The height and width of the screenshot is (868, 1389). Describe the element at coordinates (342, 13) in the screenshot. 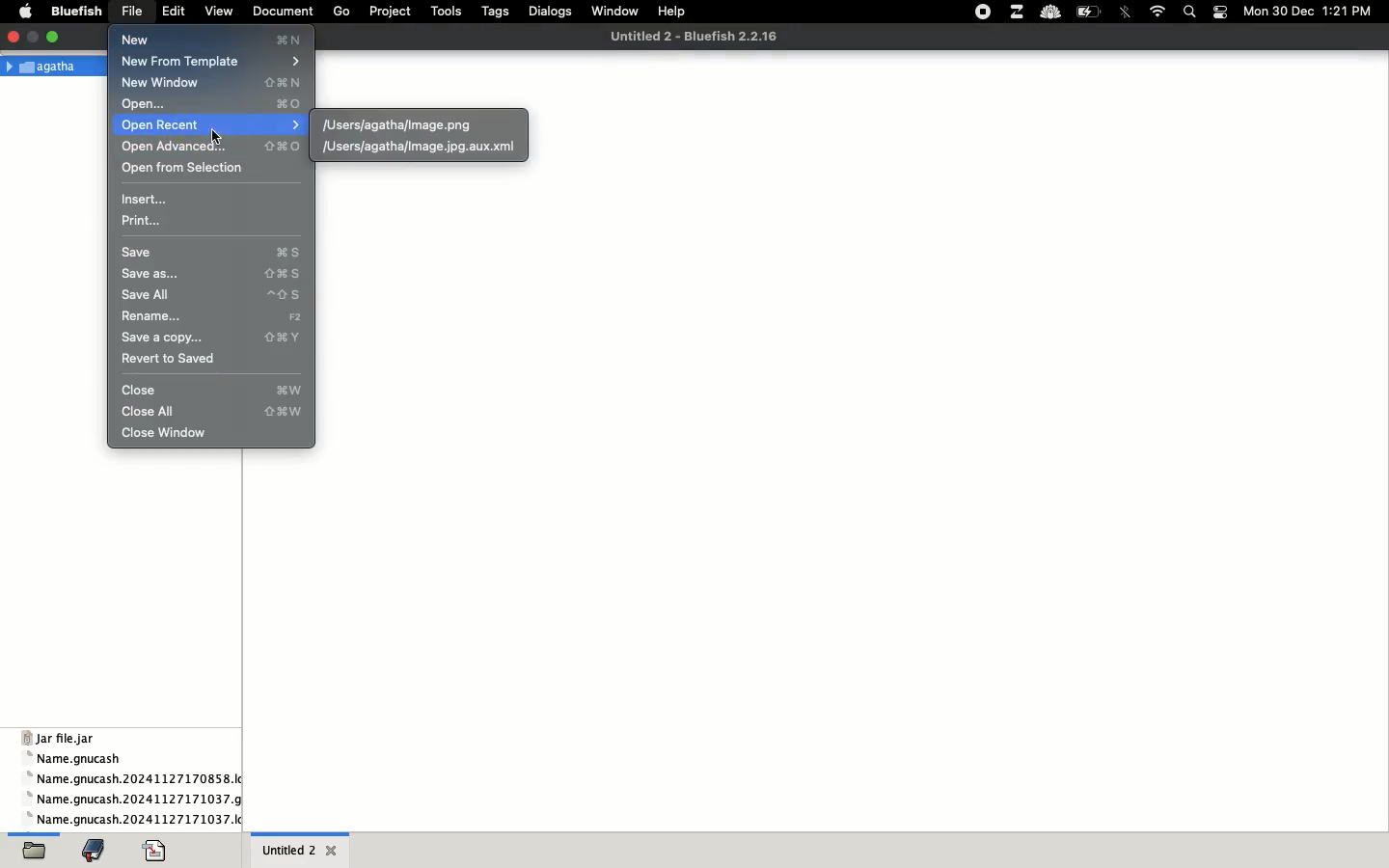

I see `go` at that location.